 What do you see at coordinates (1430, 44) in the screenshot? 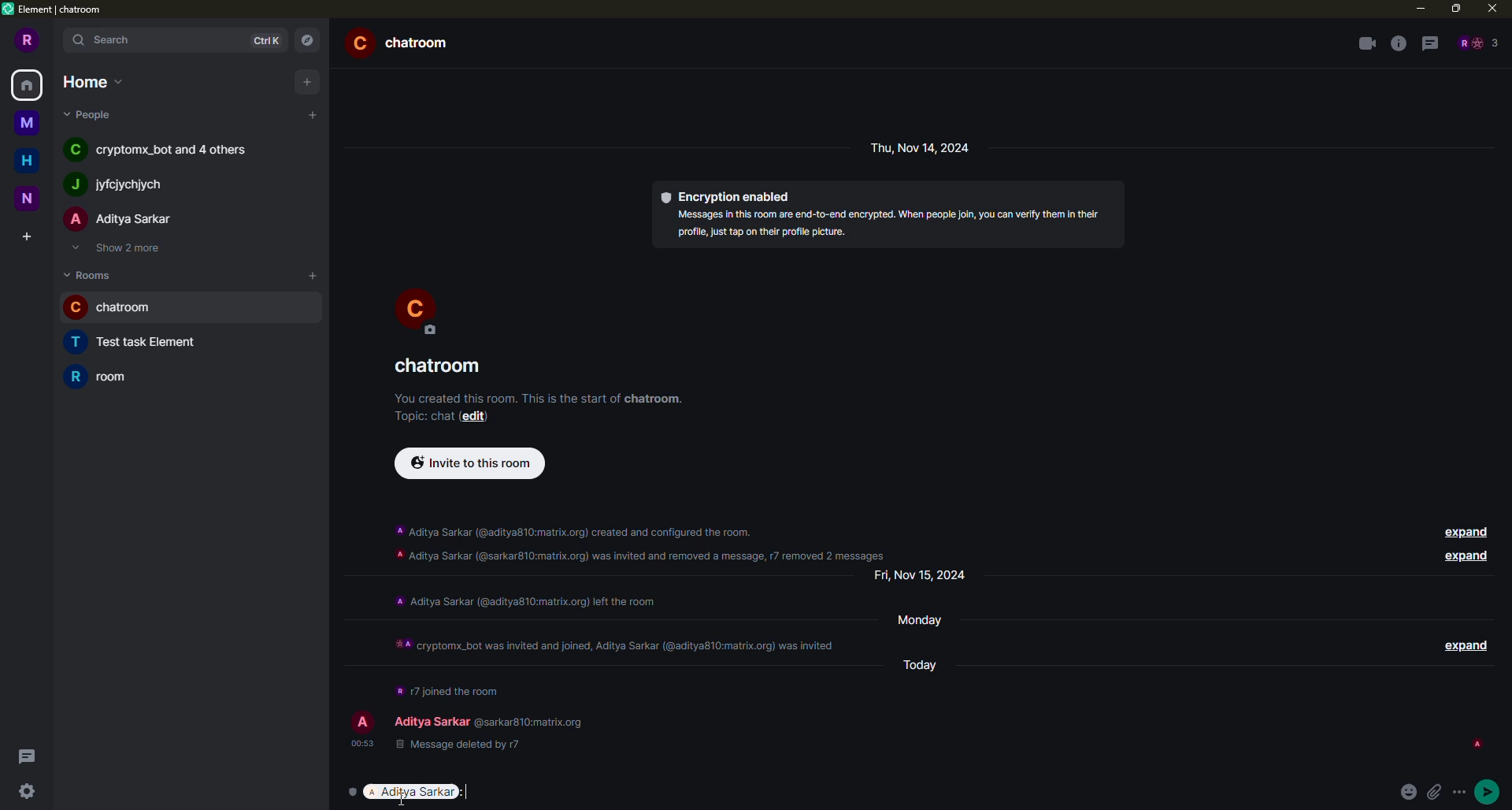
I see `threads` at bounding box center [1430, 44].